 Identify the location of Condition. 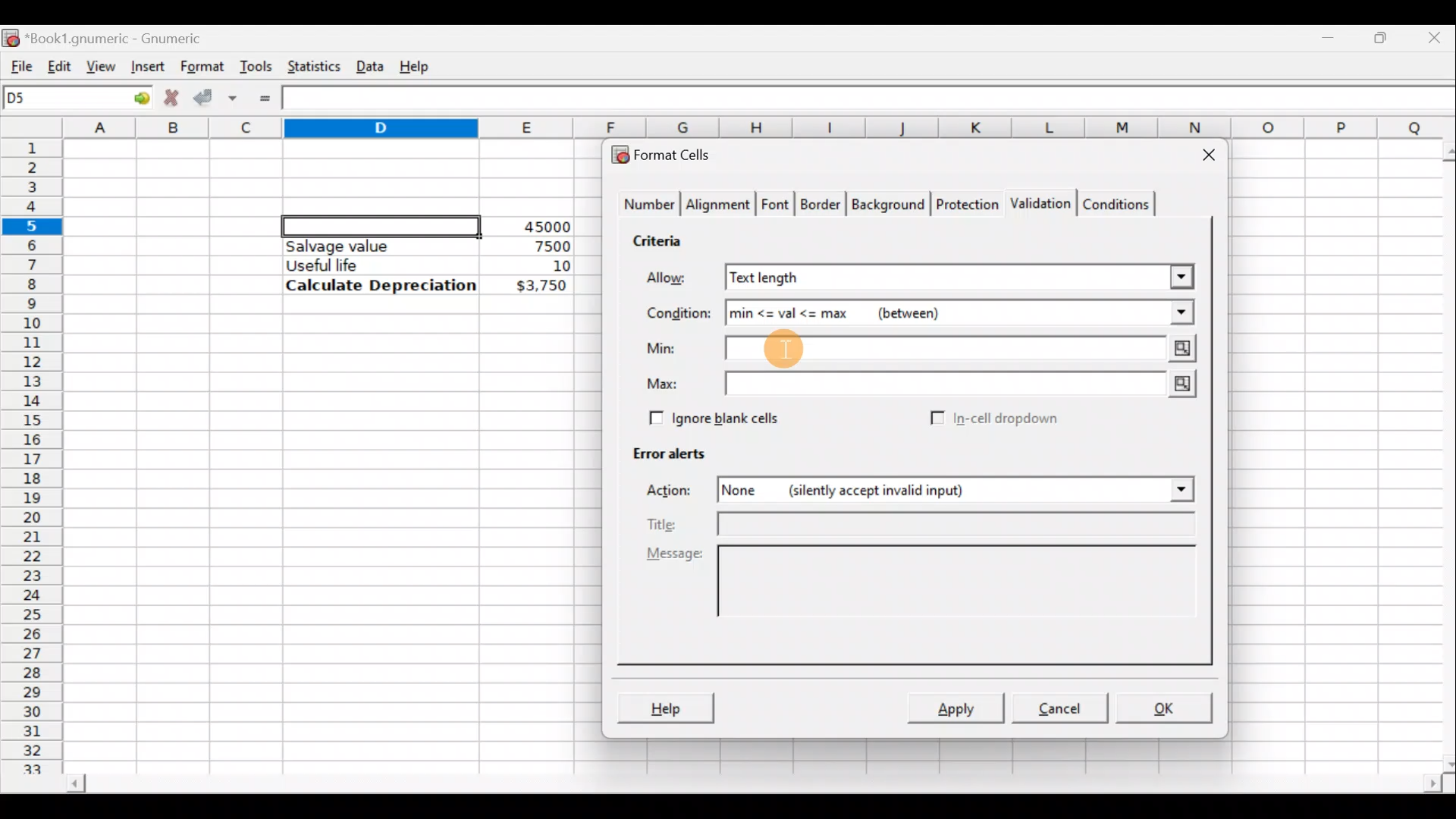
(678, 314).